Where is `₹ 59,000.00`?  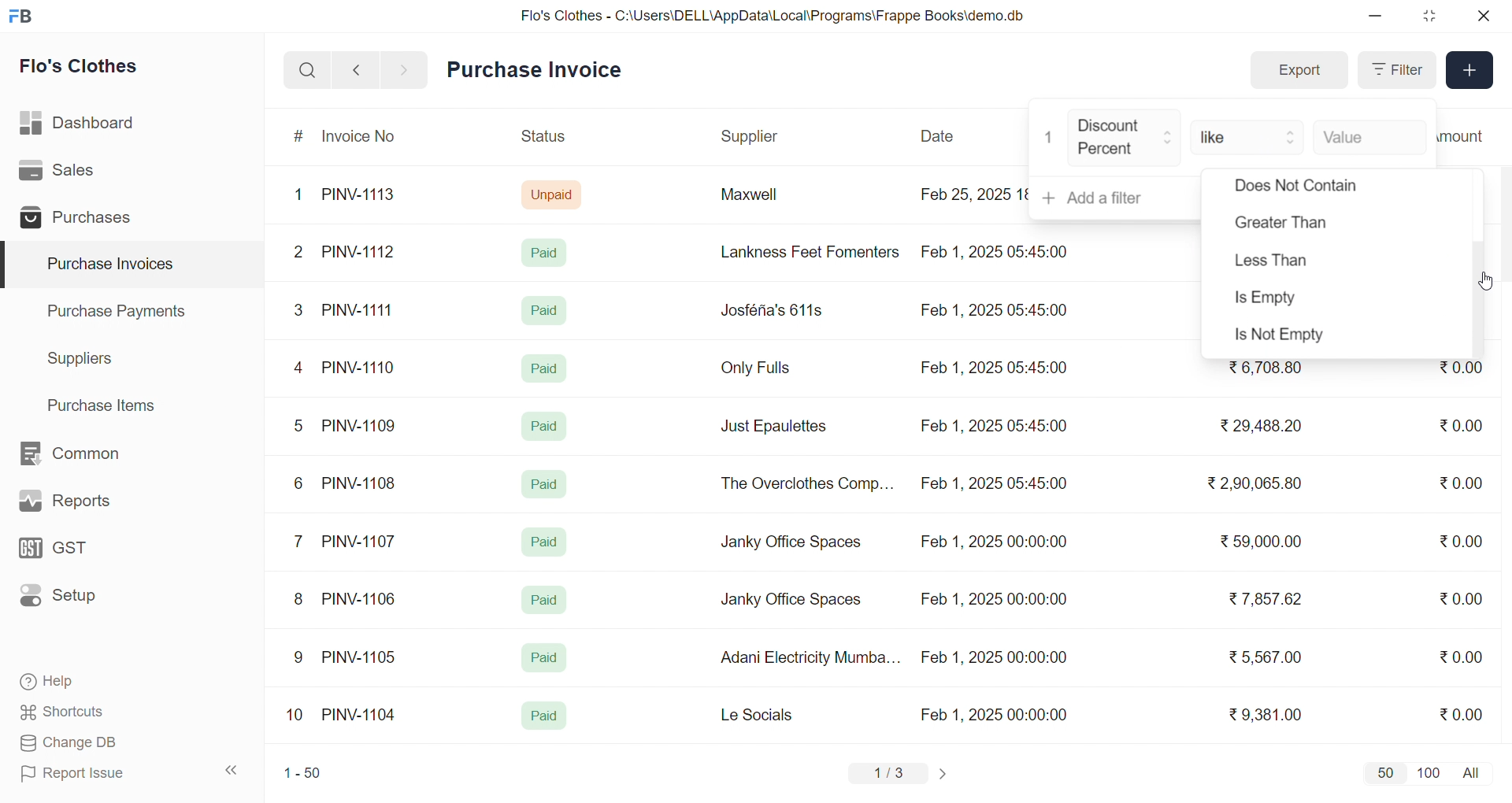
₹ 59,000.00 is located at coordinates (1266, 543).